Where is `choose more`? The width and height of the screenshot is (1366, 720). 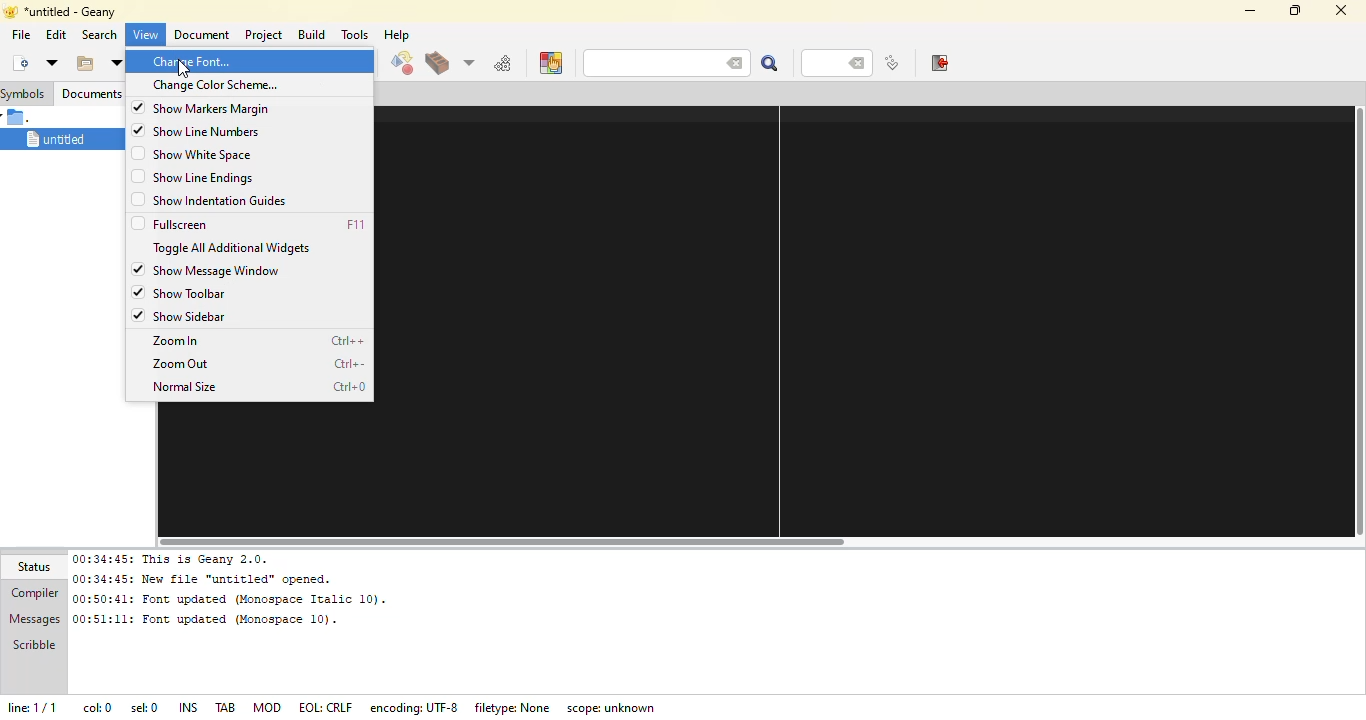
choose more is located at coordinates (467, 62).